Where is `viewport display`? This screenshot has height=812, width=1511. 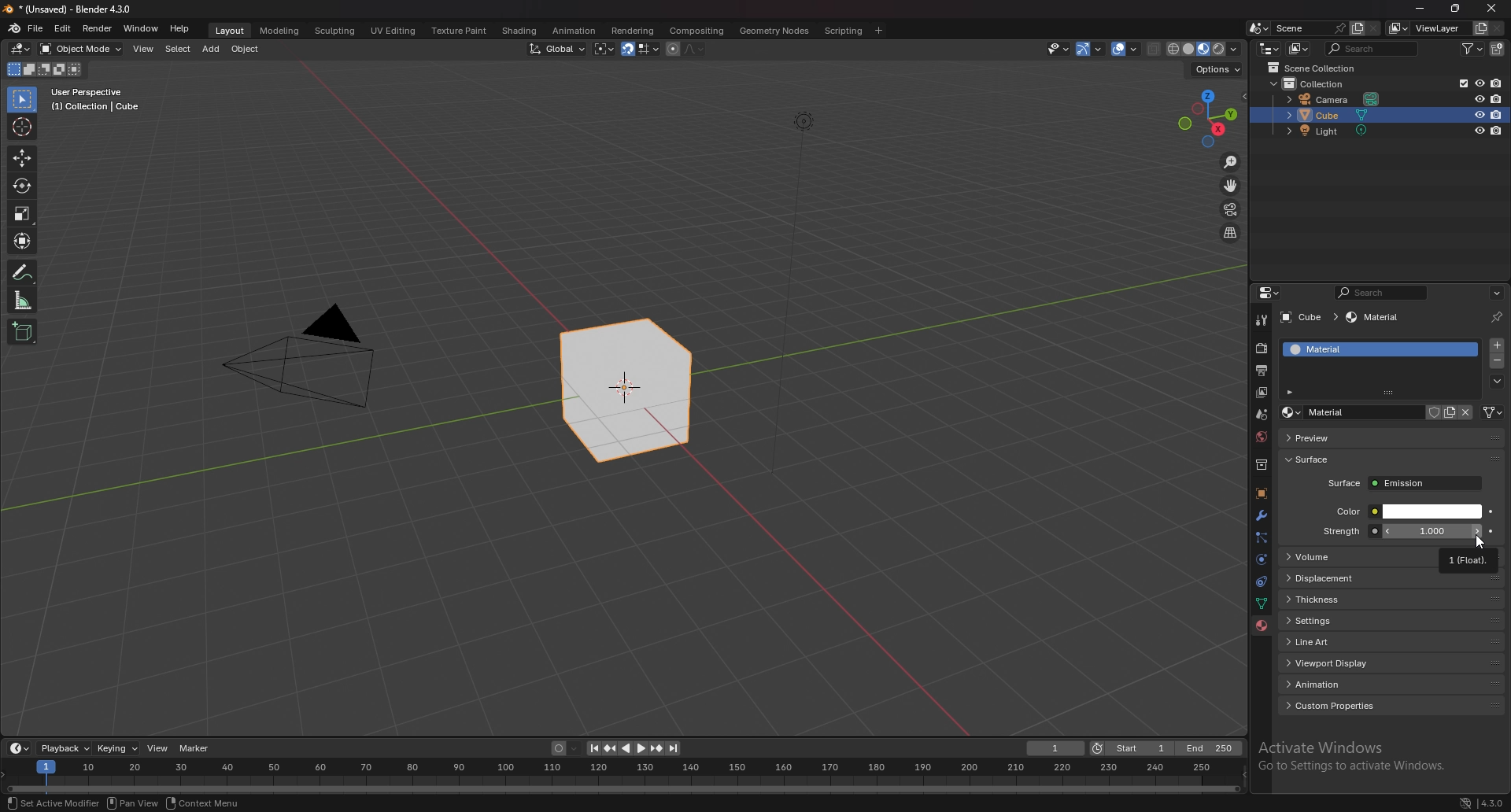
viewport display is located at coordinates (1394, 661).